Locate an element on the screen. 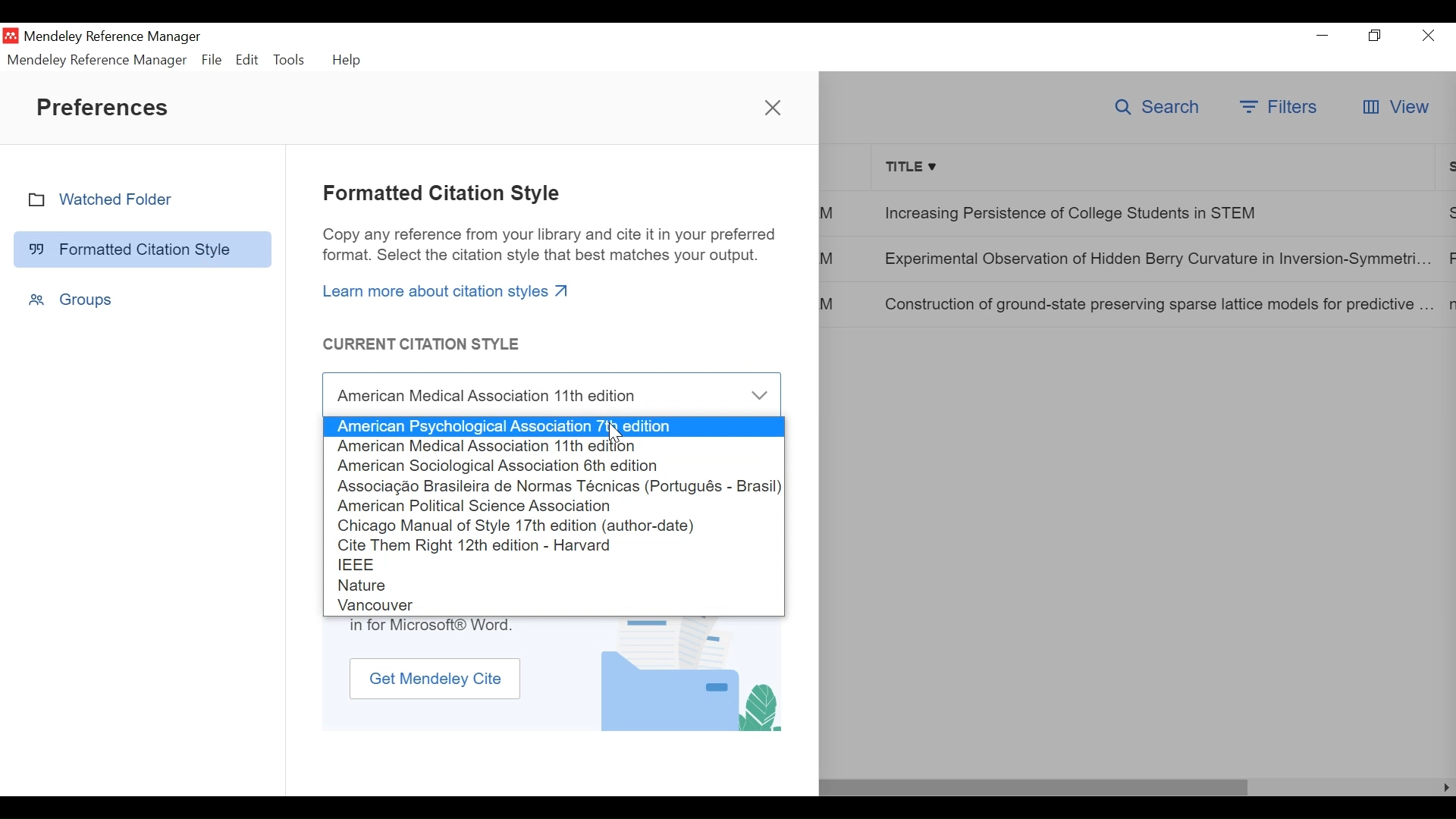  Get Mendeley Cite is located at coordinates (436, 679).